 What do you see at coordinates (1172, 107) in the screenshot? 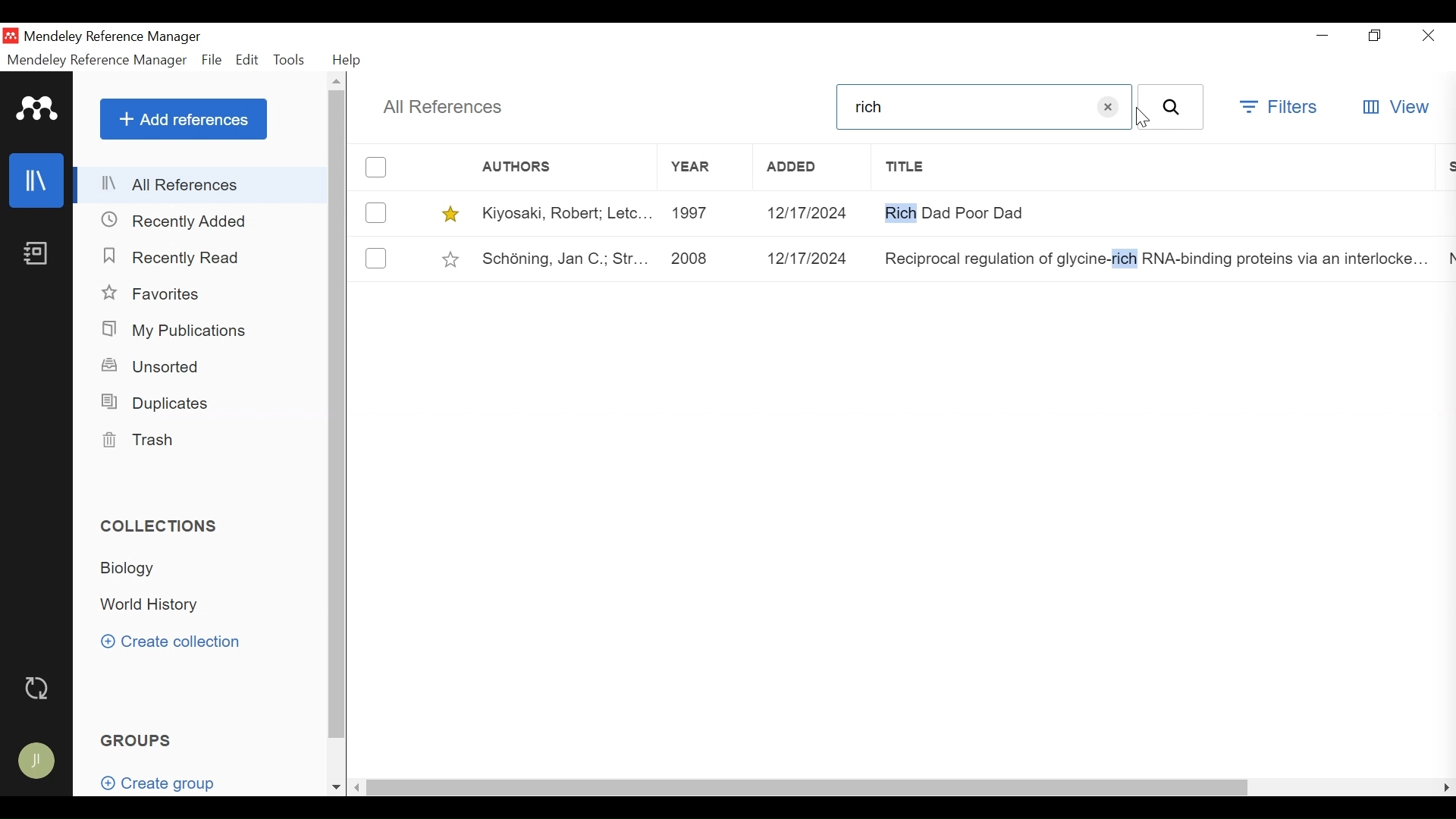
I see `Search` at bounding box center [1172, 107].